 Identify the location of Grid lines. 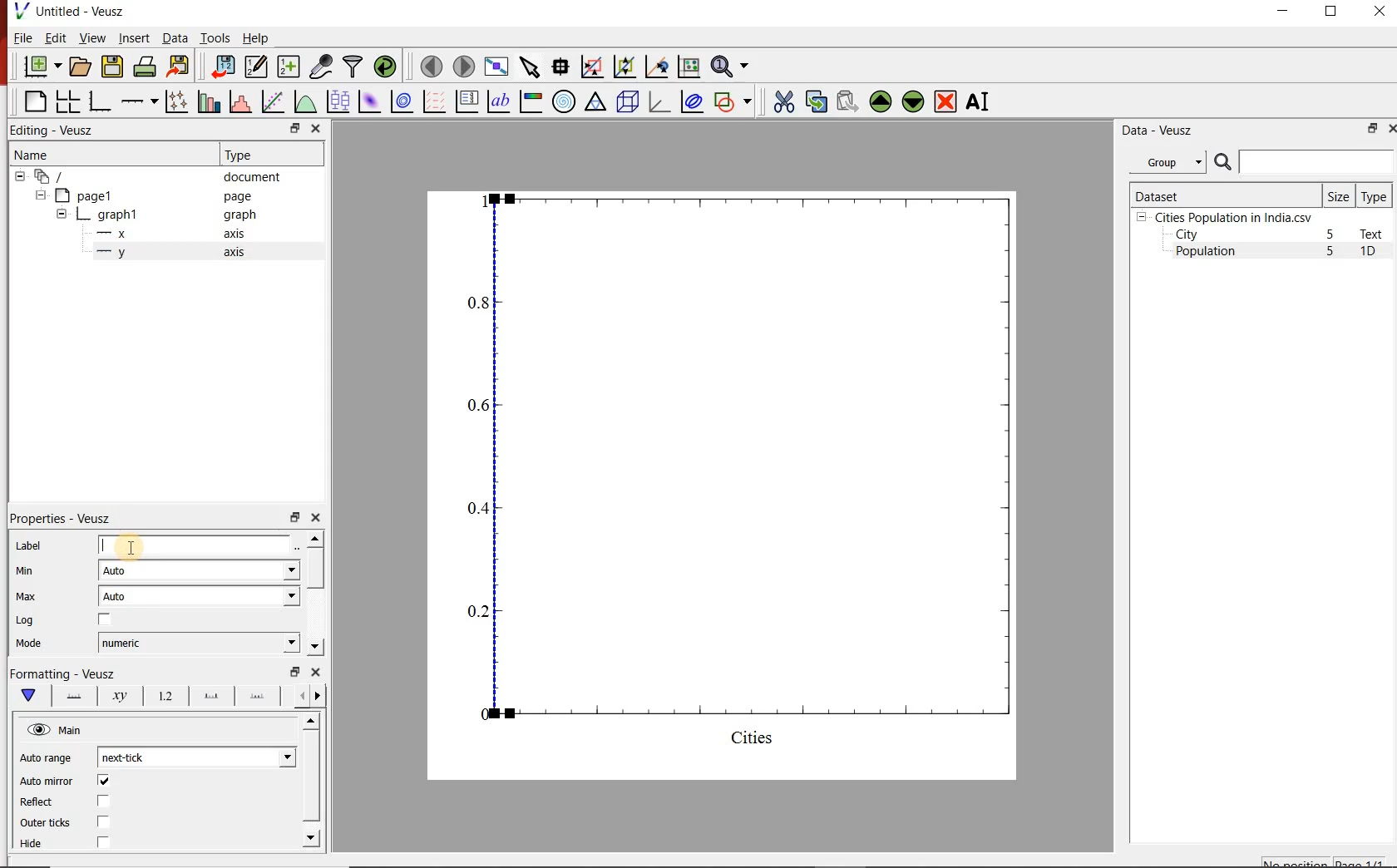
(312, 695).